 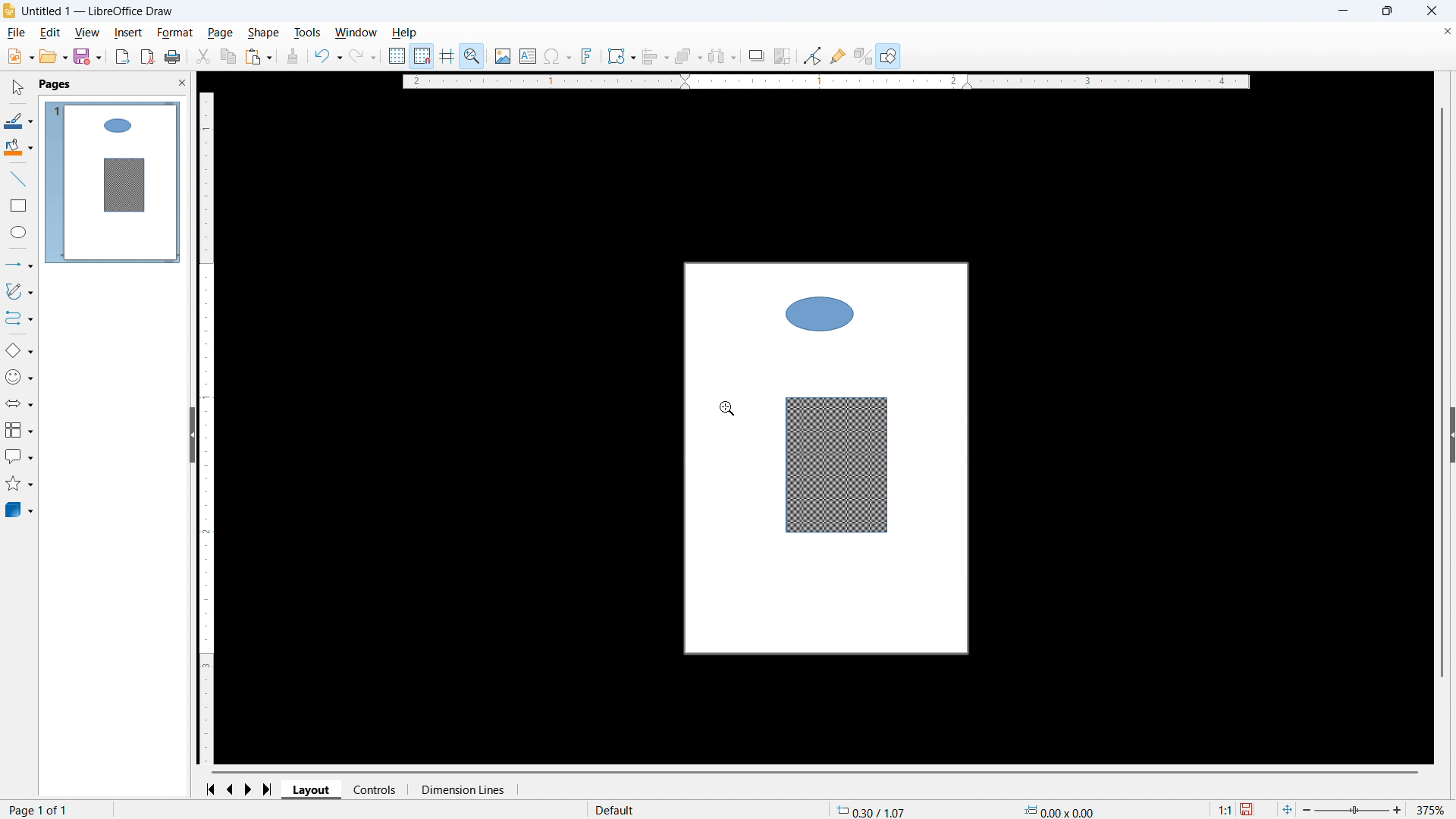 What do you see at coordinates (1288, 809) in the screenshot?
I see `Fit to page ` at bounding box center [1288, 809].